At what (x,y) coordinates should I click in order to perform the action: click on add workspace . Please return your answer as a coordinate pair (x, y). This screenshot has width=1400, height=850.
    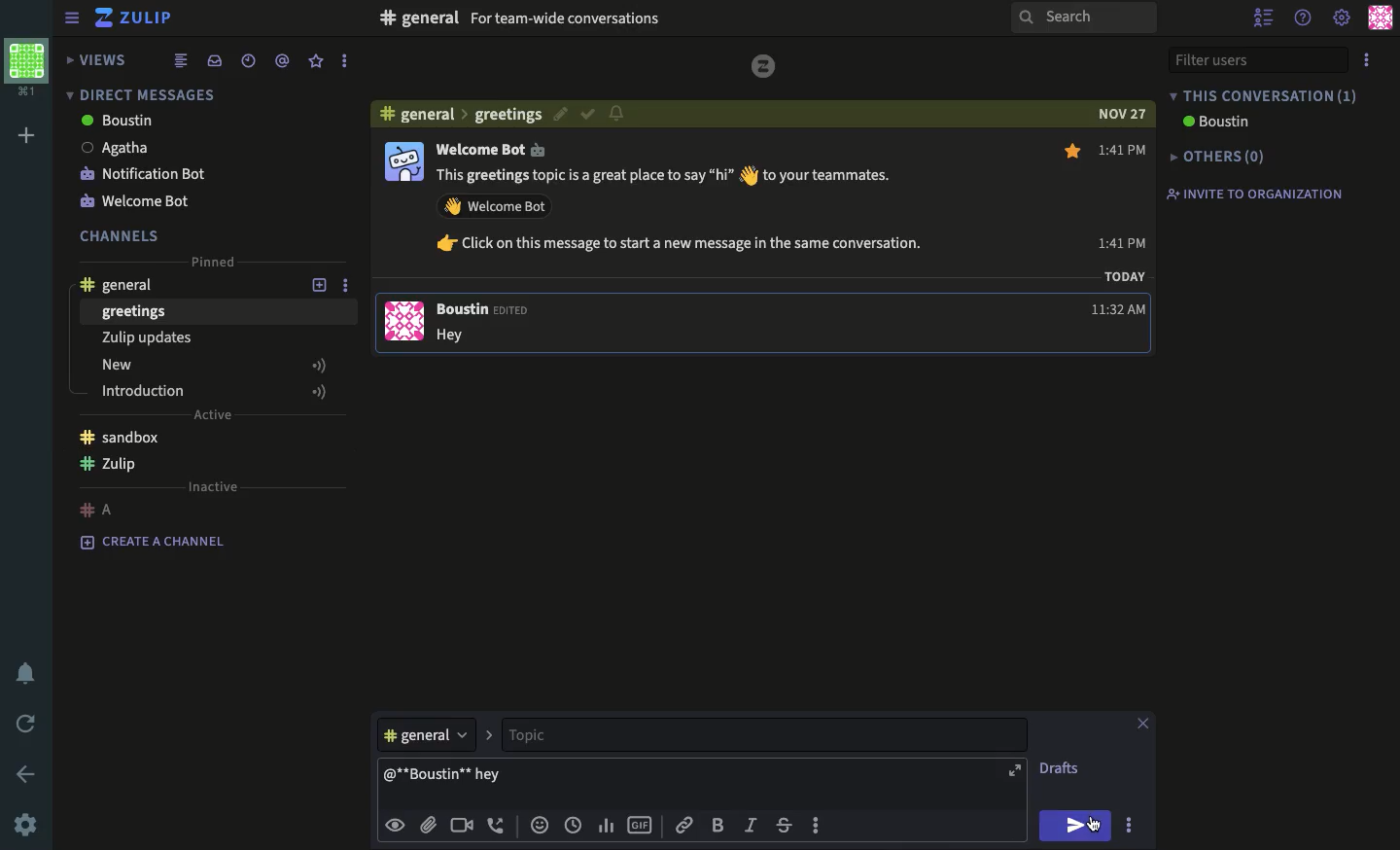
    Looking at the image, I should click on (28, 135).